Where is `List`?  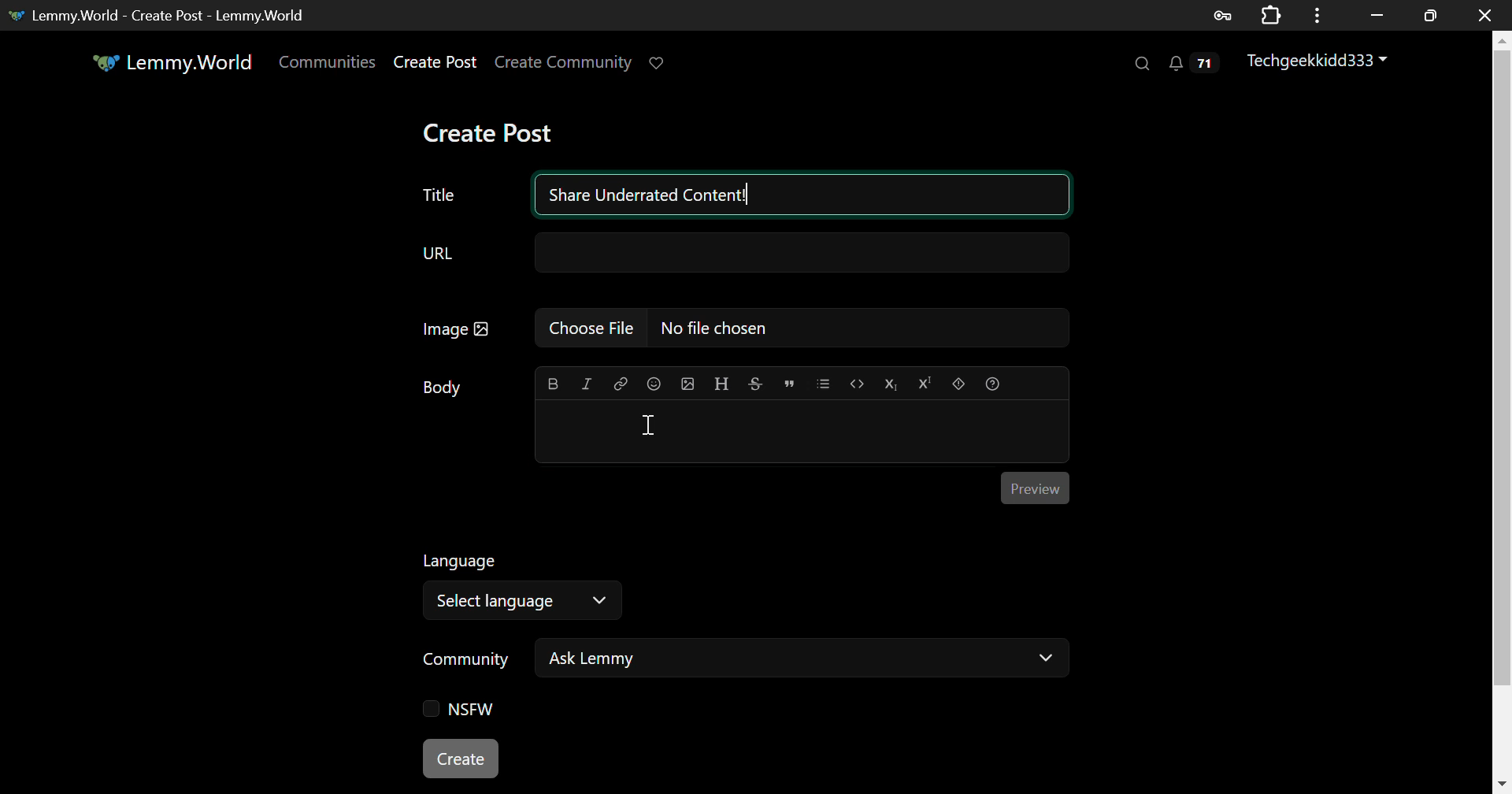 List is located at coordinates (823, 384).